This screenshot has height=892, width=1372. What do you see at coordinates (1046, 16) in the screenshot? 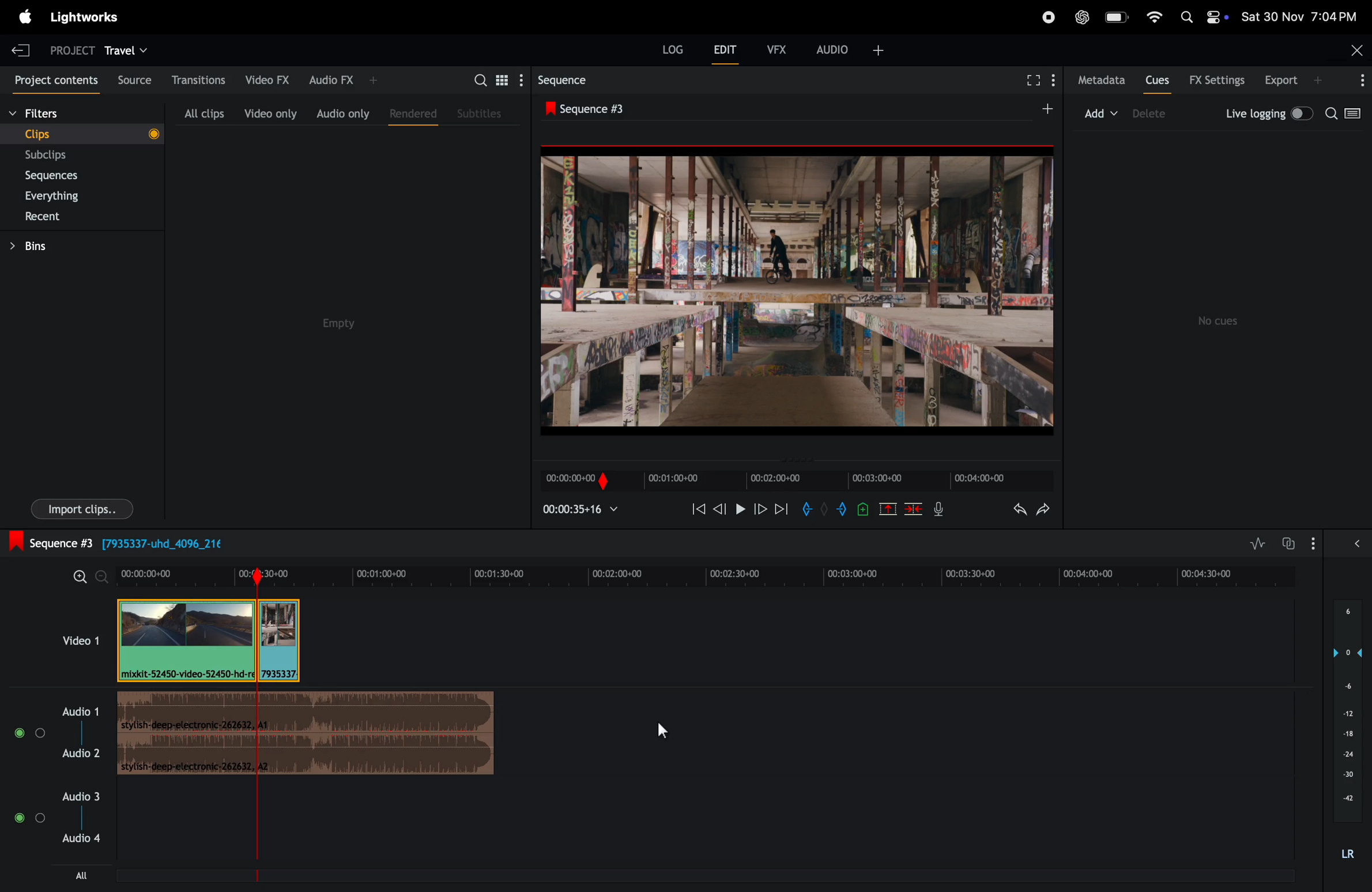
I see `record` at bounding box center [1046, 16].